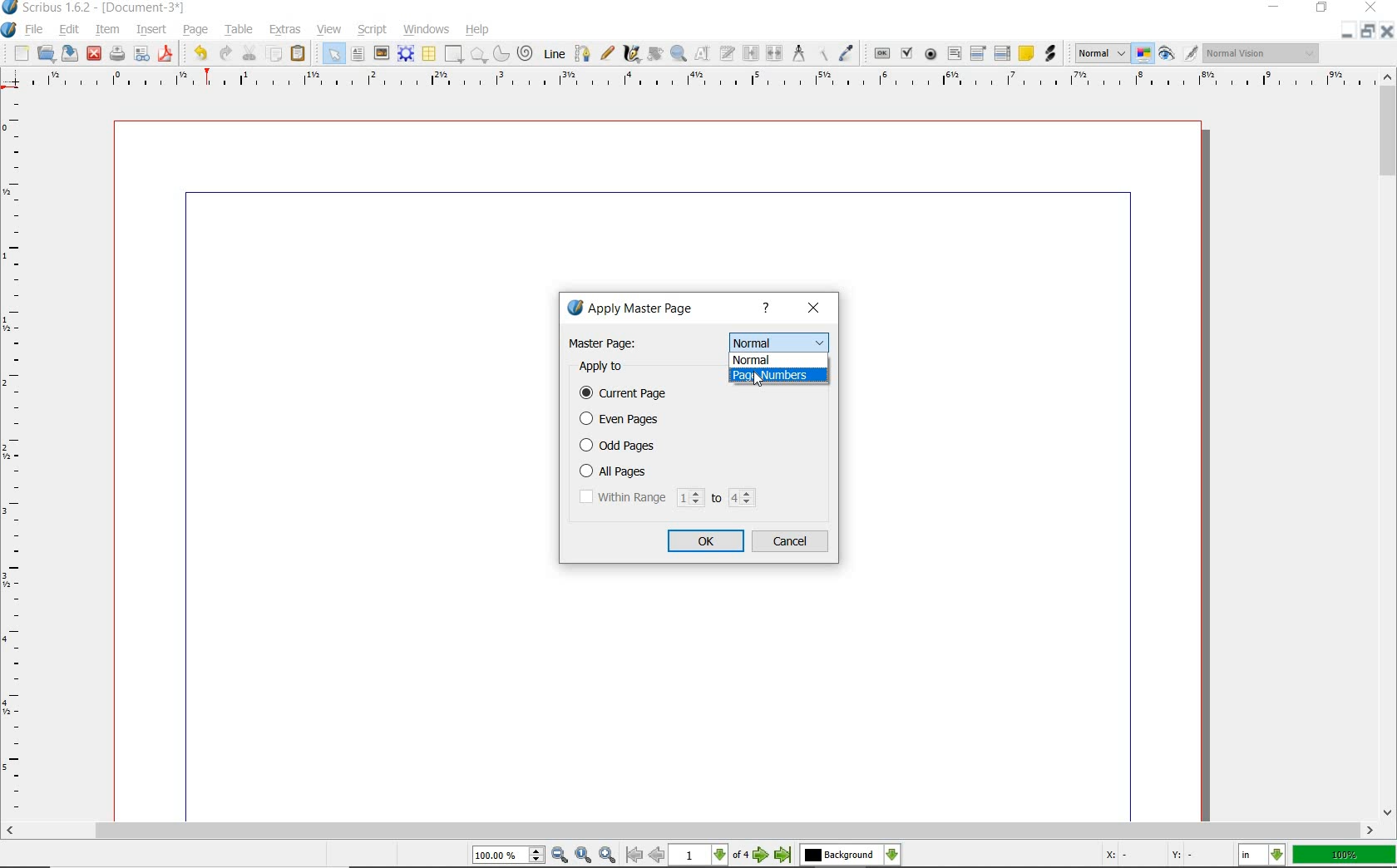 Image resolution: width=1397 pixels, height=868 pixels. Describe the element at coordinates (667, 471) in the screenshot. I see `all pages` at that location.